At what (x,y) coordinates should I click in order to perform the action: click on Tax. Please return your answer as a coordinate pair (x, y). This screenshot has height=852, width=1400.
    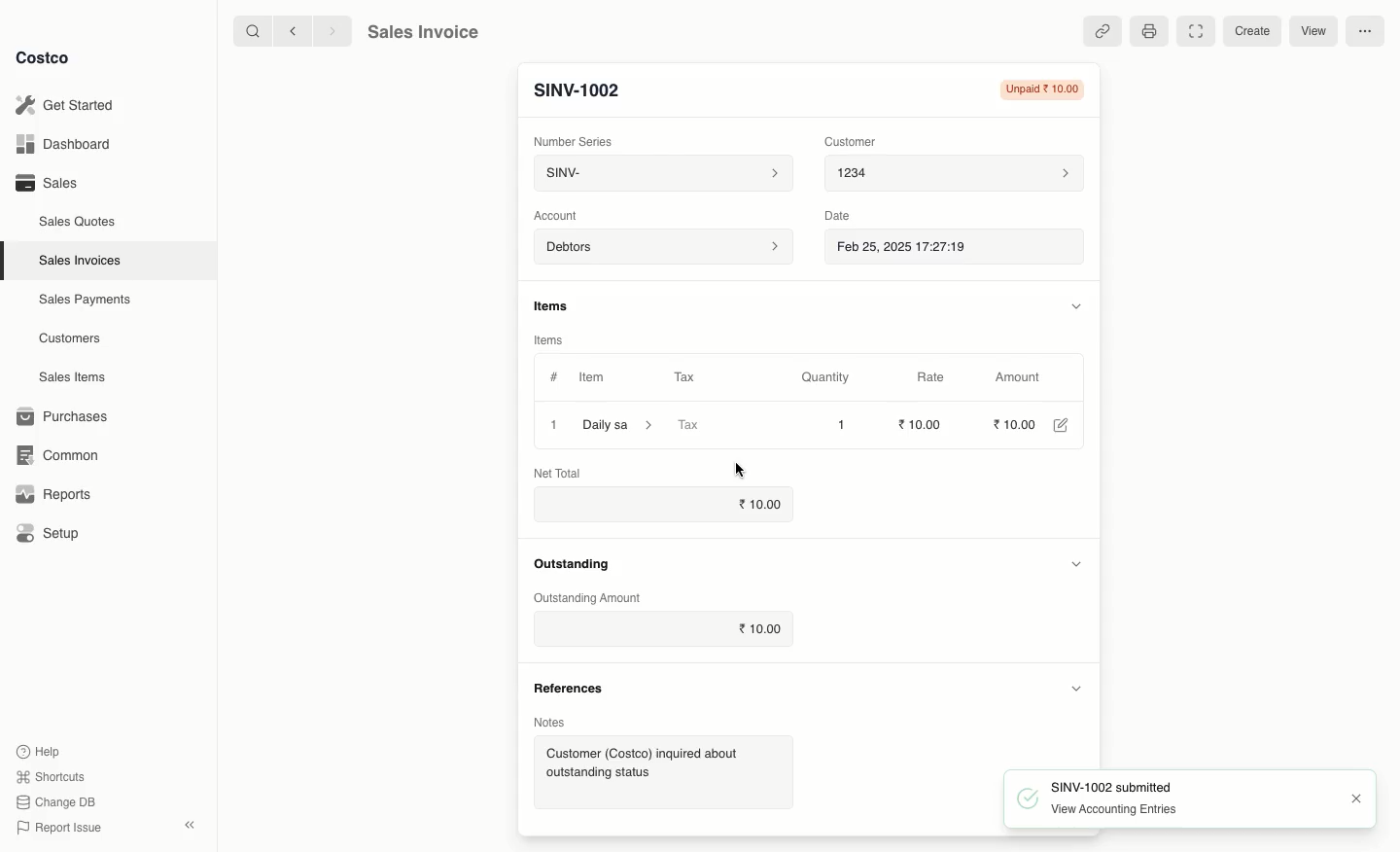
    Looking at the image, I should click on (684, 375).